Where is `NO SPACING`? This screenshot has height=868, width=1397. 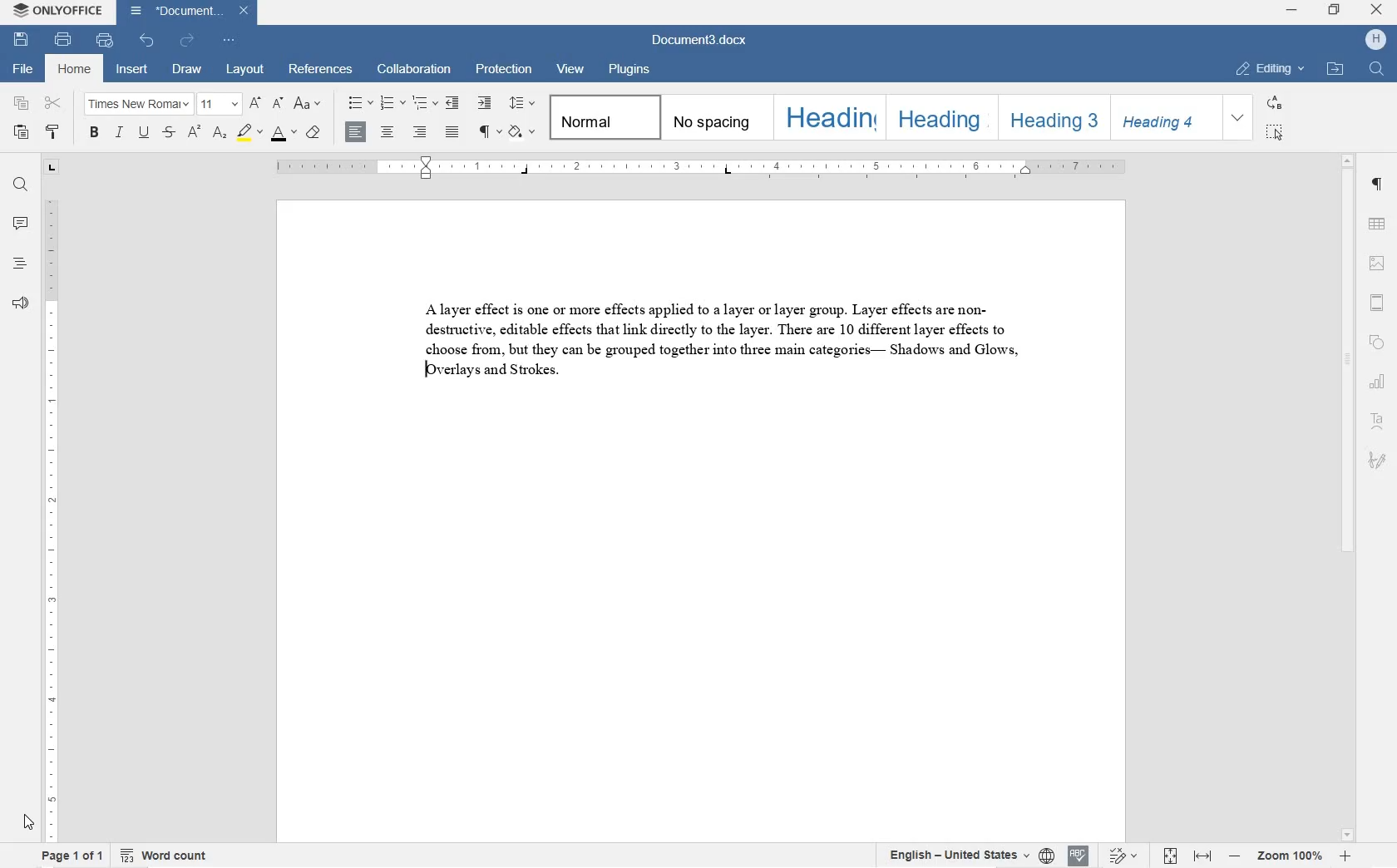
NO SPACING is located at coordinates (713, 118).